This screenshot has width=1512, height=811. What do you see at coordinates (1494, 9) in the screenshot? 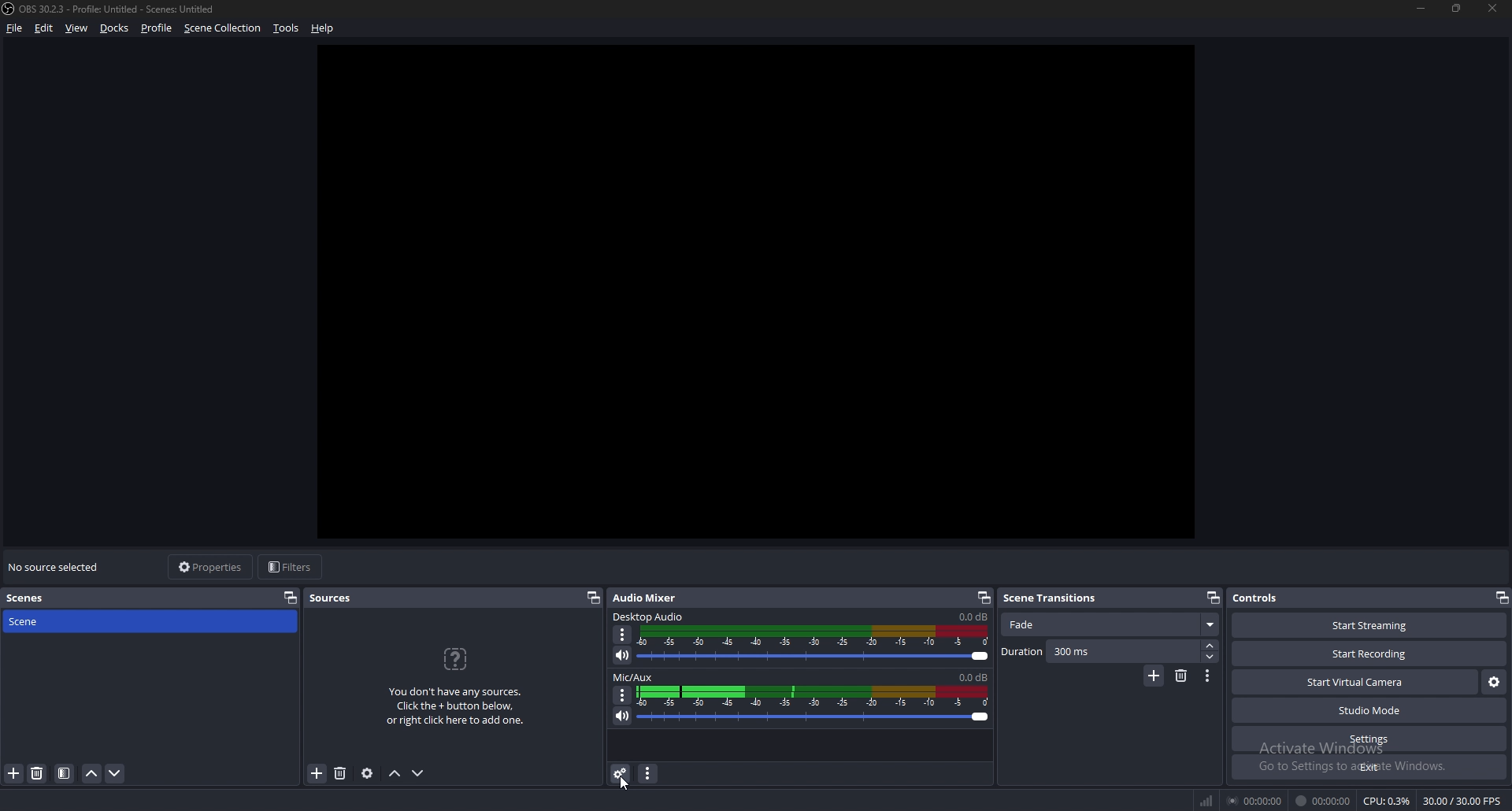
I see `close` at bounding box center [1494, 9].